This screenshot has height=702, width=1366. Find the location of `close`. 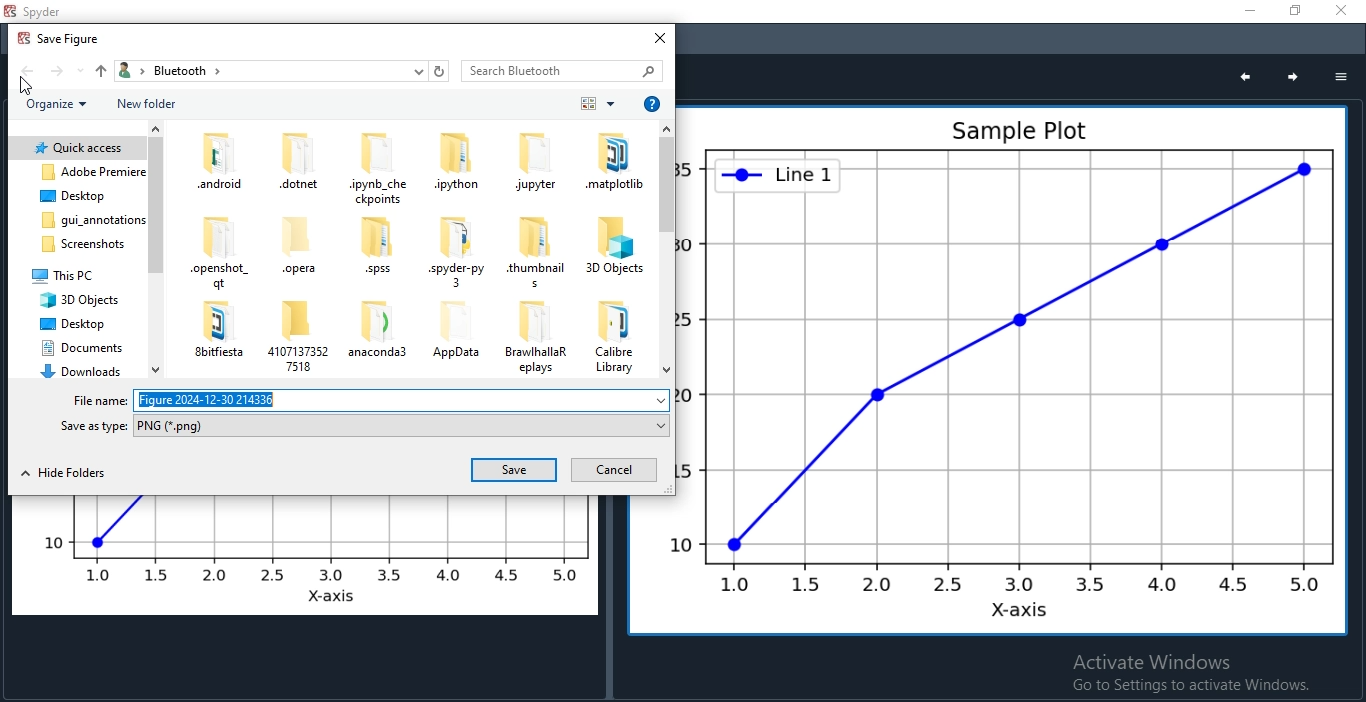

close is located at coordinates (659, 39).